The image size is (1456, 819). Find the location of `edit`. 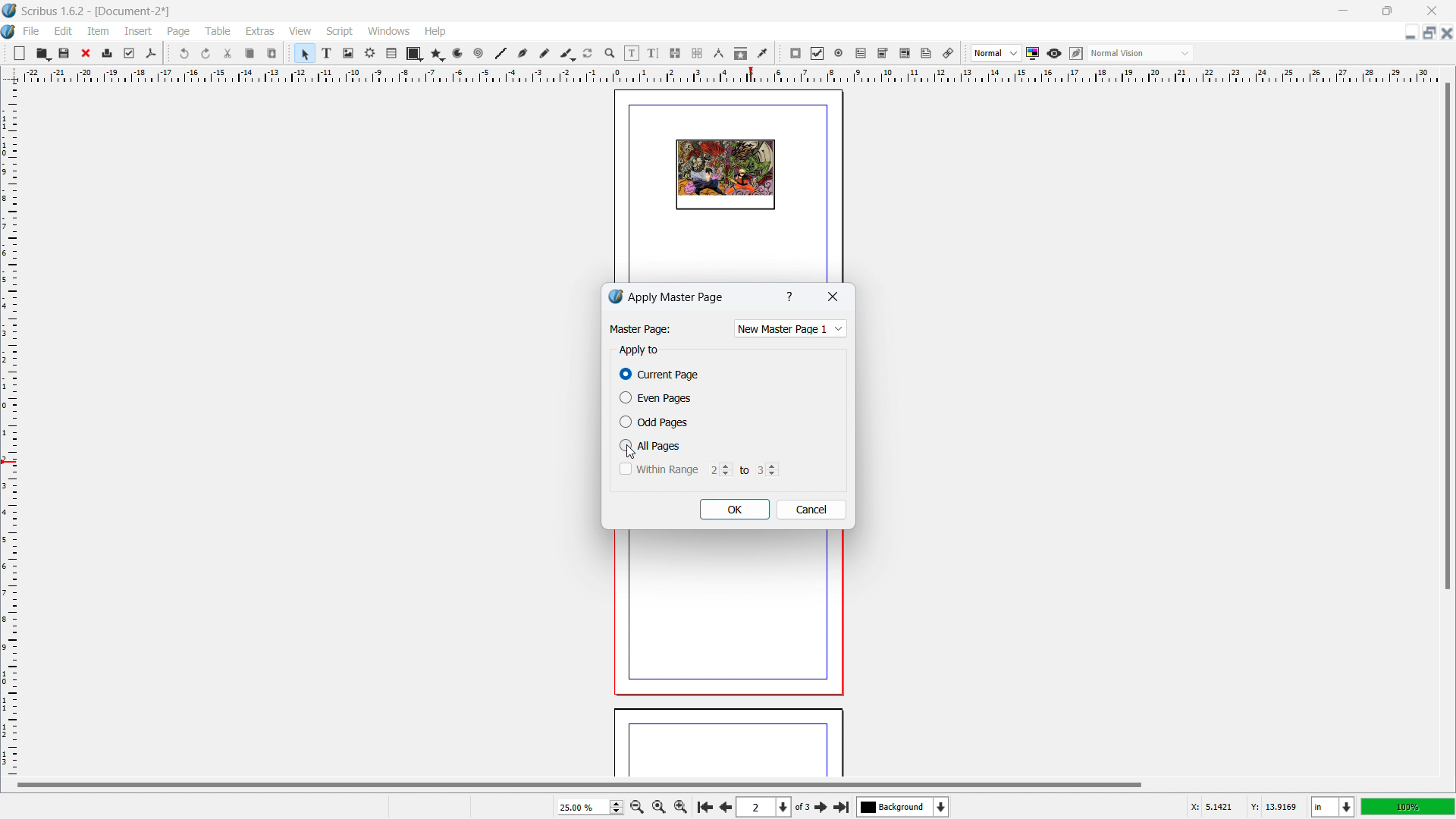

edit is located at coordinates (64, 31).